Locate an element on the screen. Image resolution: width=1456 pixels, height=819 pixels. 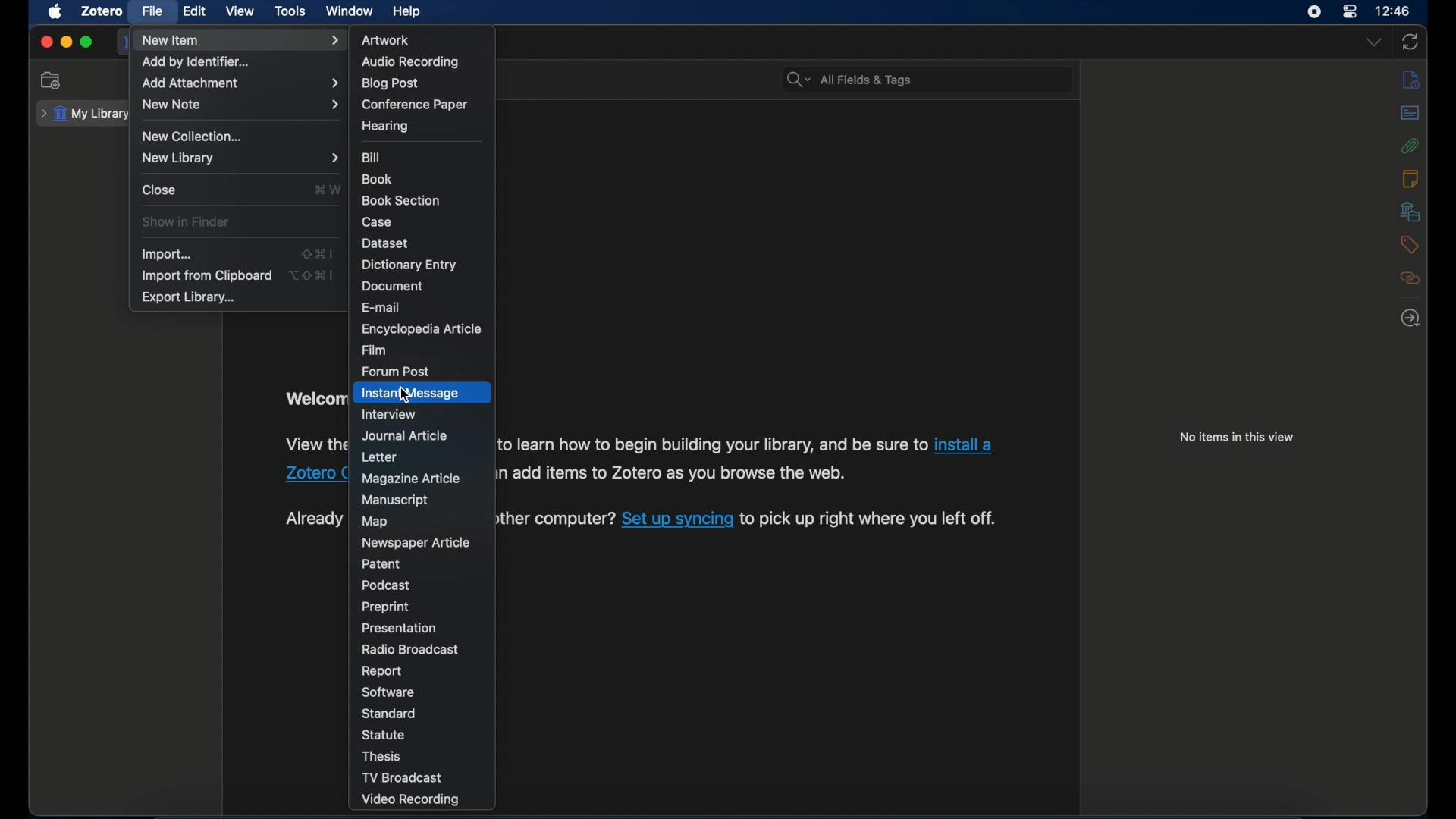
newspaper article is located at coordinates (414, 544).